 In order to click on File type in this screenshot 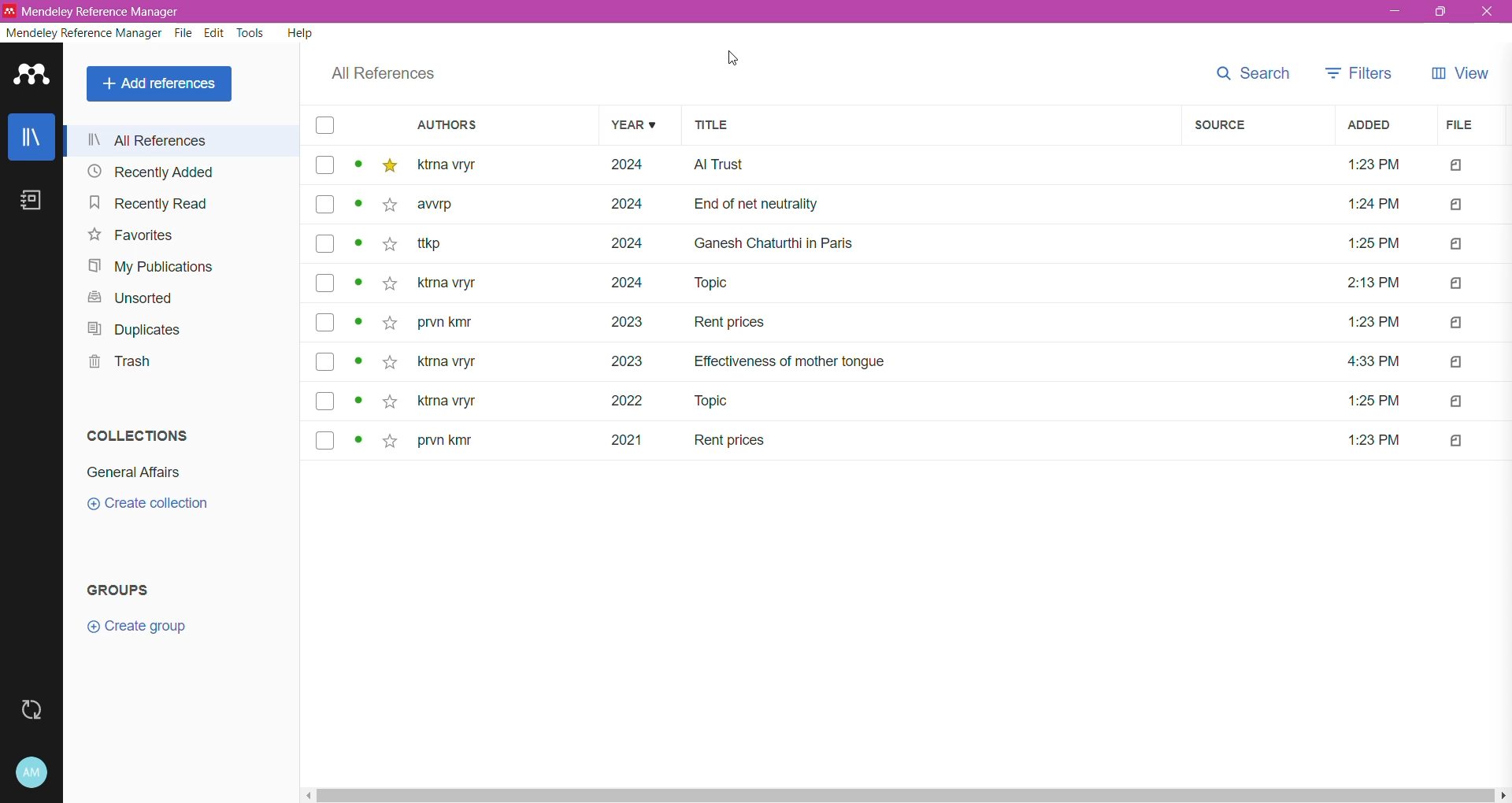, I will do `click(1458, 165)`.